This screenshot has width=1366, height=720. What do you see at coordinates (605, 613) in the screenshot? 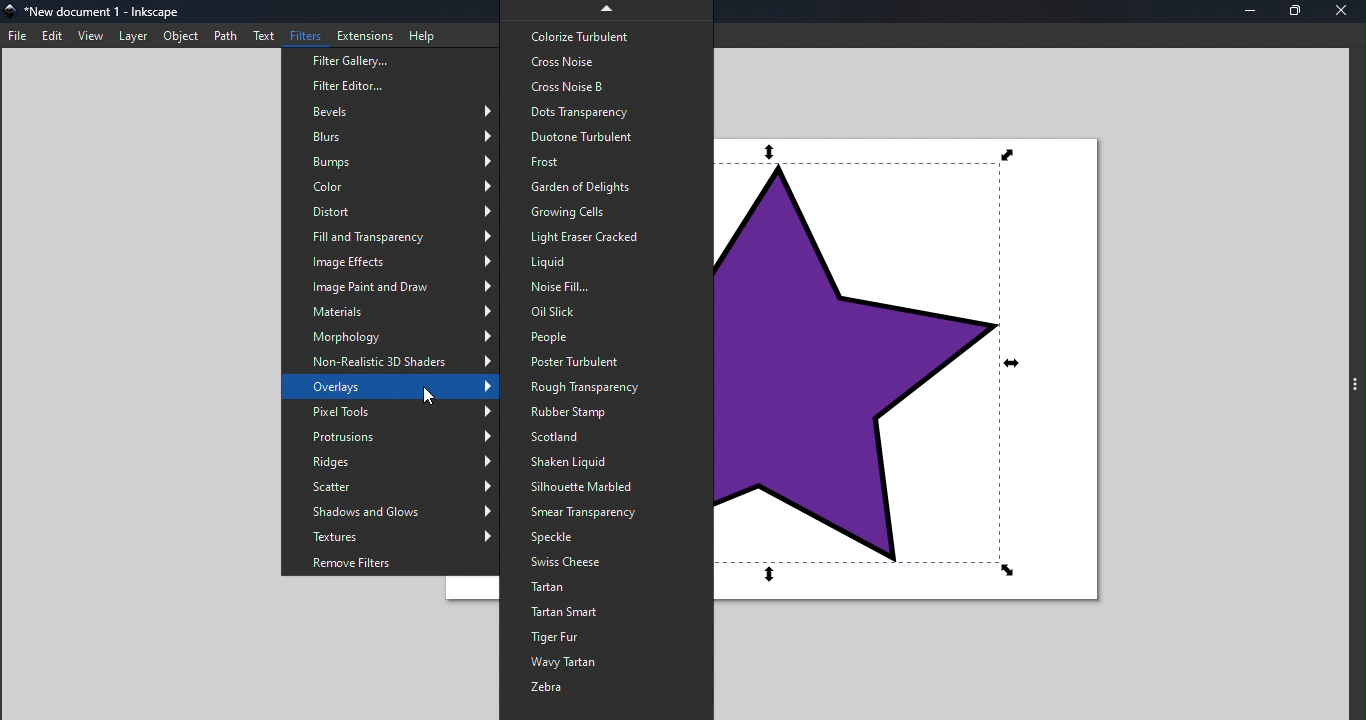
I see `Tartan smart` at bounding box center [605, 613].